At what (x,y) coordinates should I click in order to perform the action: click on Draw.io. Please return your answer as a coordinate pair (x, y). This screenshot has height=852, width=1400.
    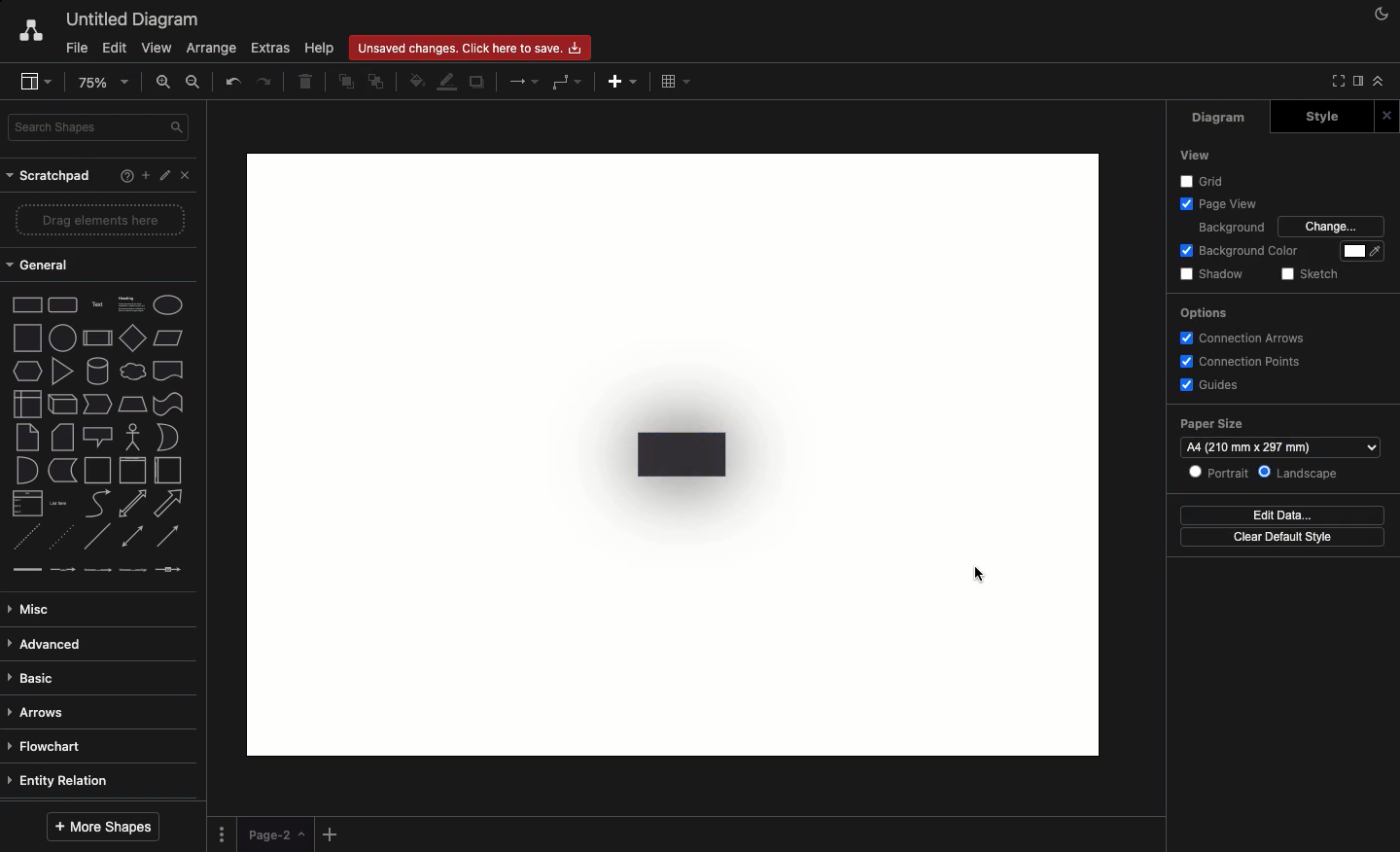
    Looking at the image, I should click on (32, 34).